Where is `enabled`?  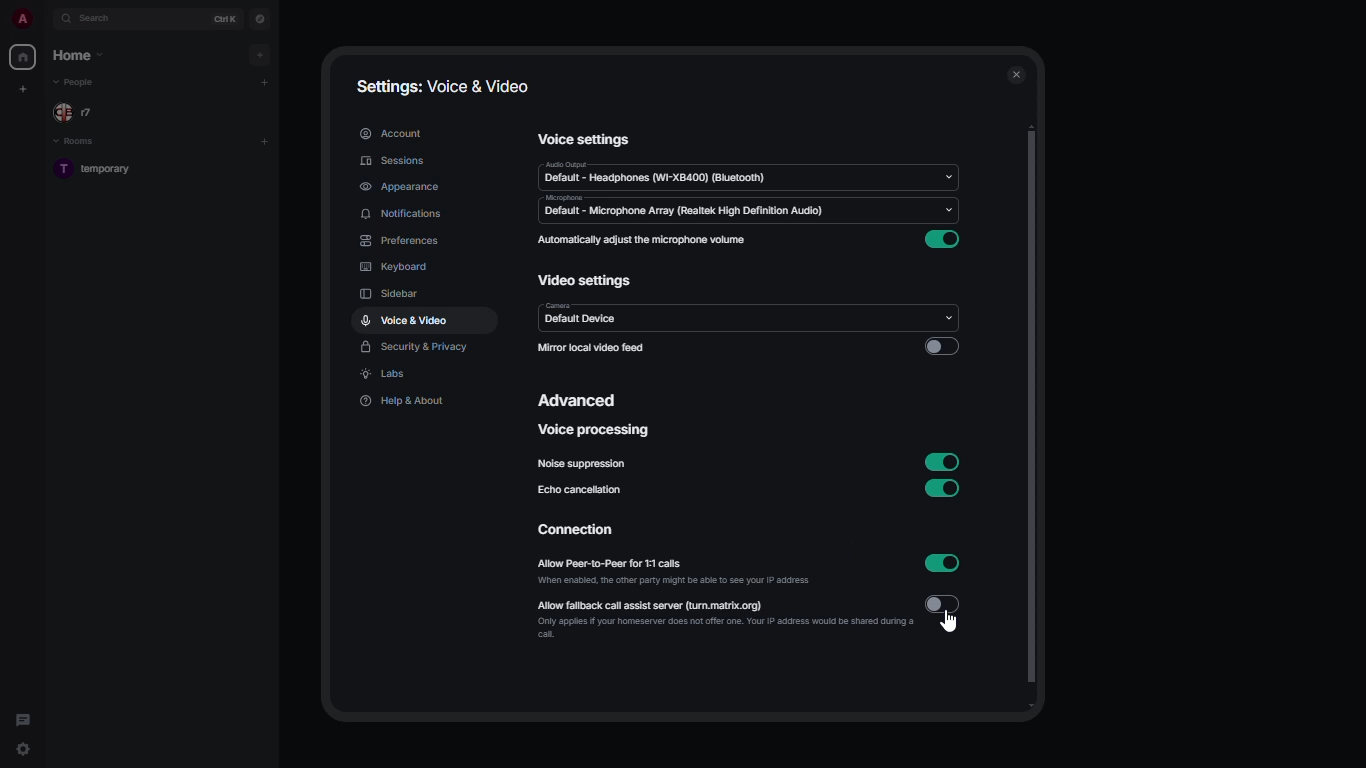 enabled is located at coordinates (941, 487).